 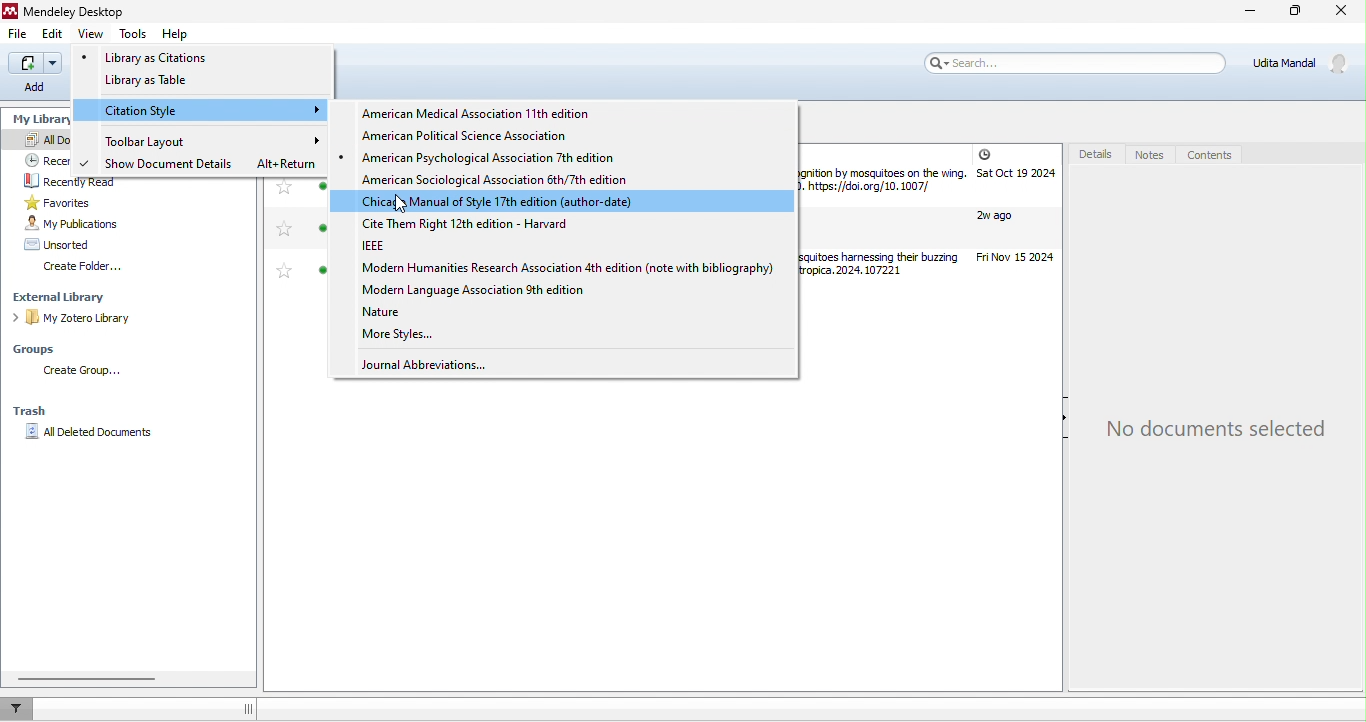 I want to click on title, so click(x=91, y=12).